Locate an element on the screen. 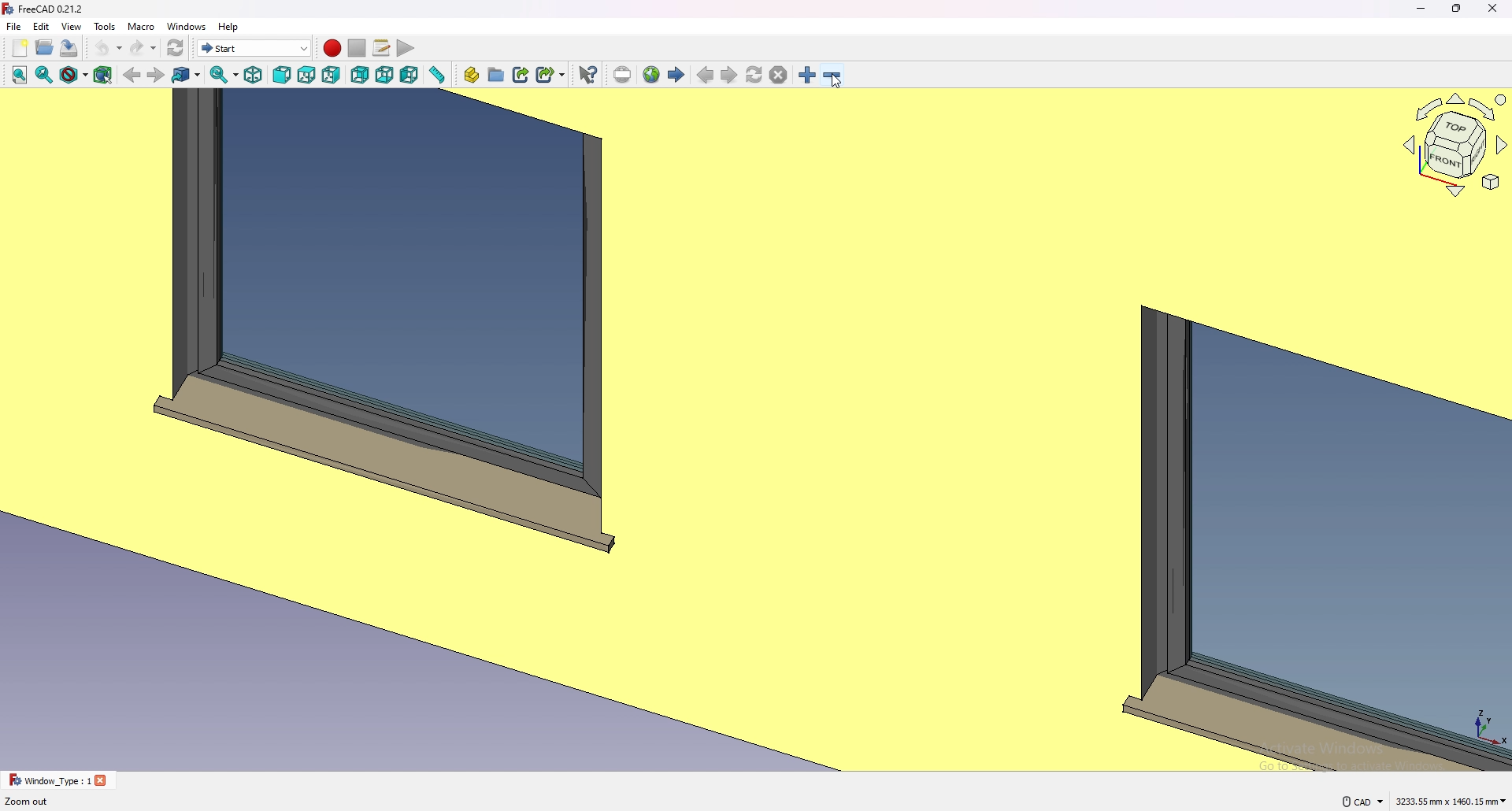 Image resolution: width=1512 pixels, height=811 pixels. make link is located at coordinates (521, 74).